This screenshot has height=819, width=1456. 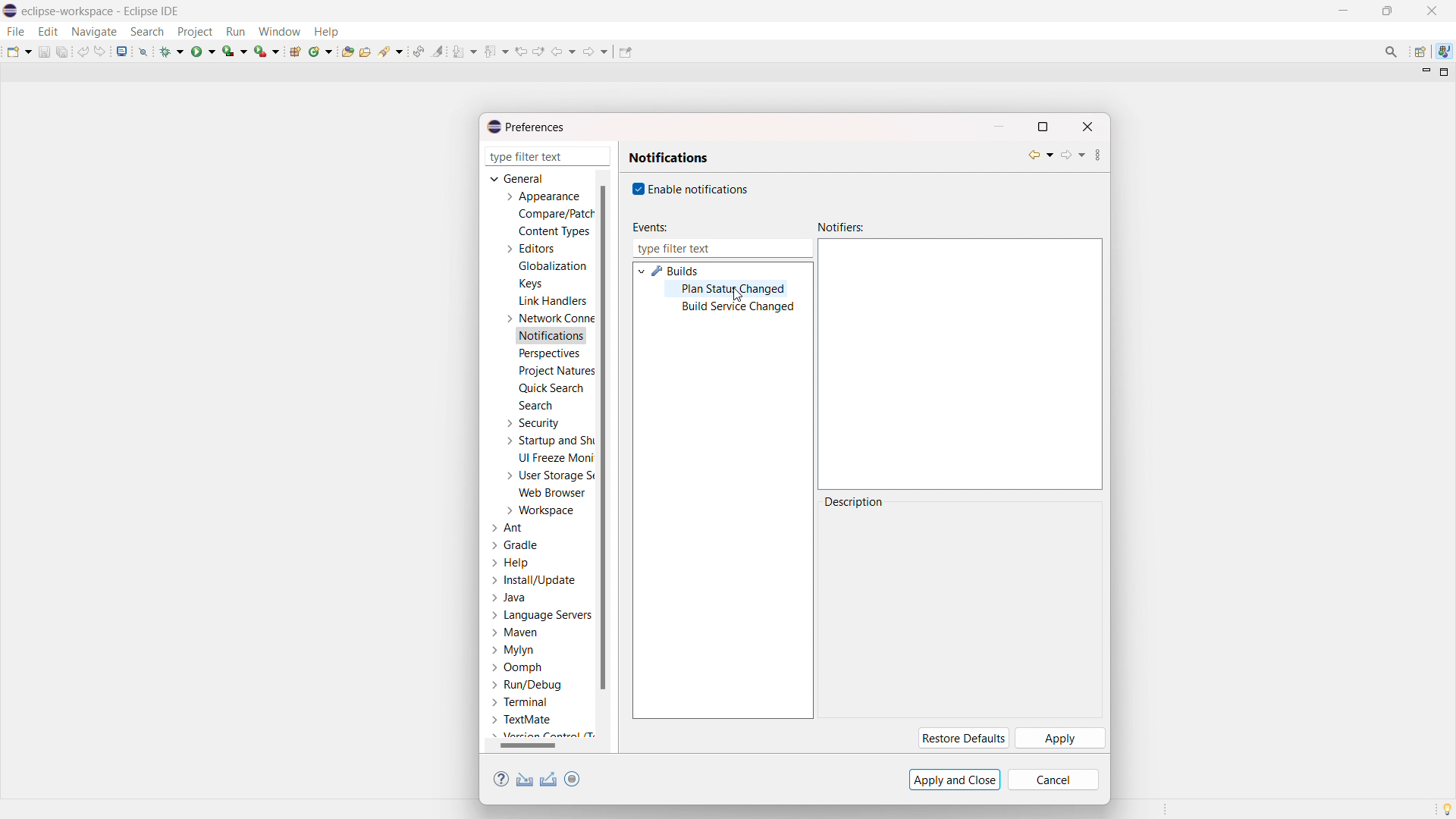 What do you see at coordinates (521, 703) in the screenshot?
I see `terminal` at bounding box center [521, 703].